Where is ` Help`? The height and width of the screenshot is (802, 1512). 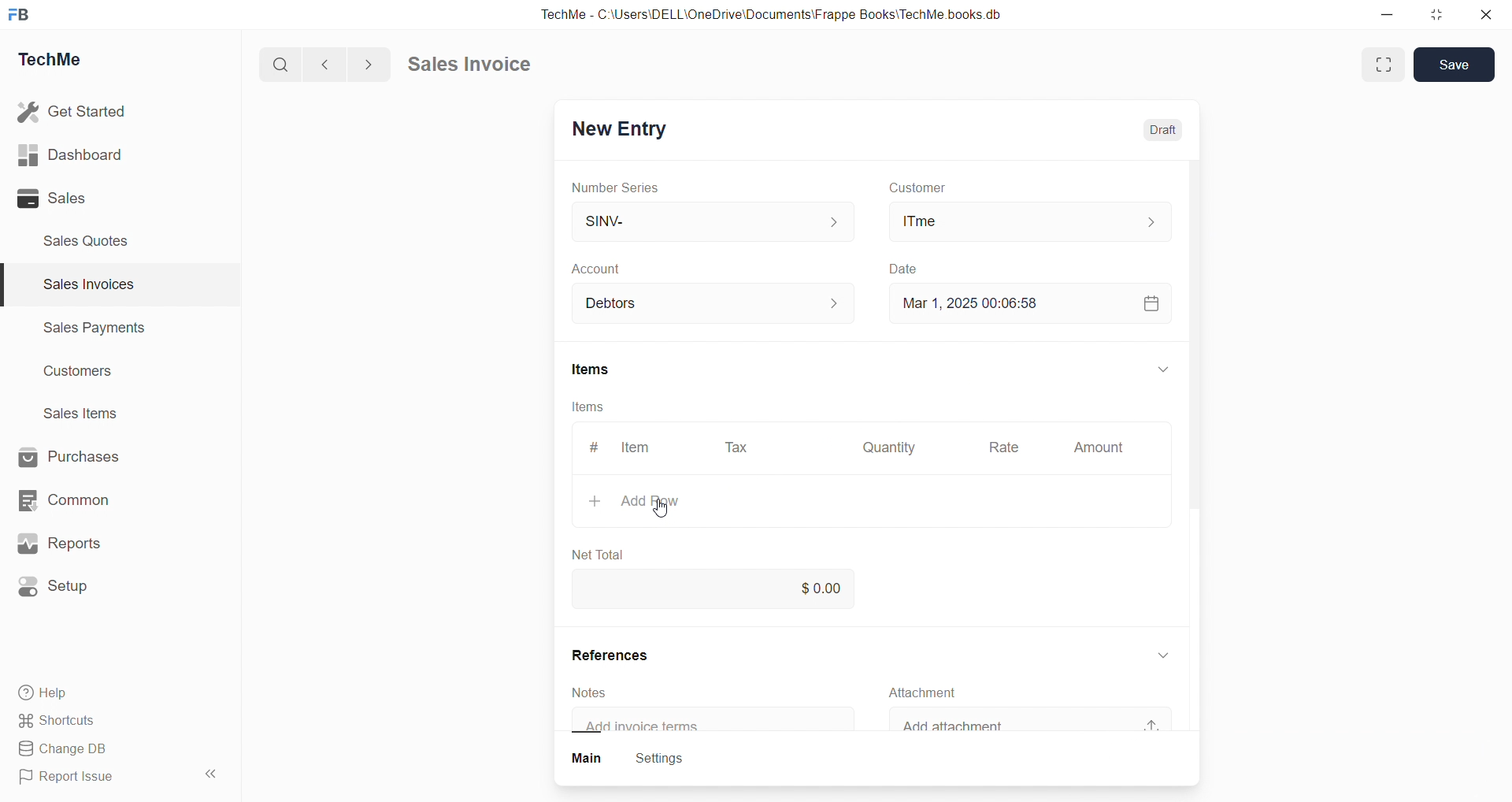  Help is located at coordinates (51, 695).